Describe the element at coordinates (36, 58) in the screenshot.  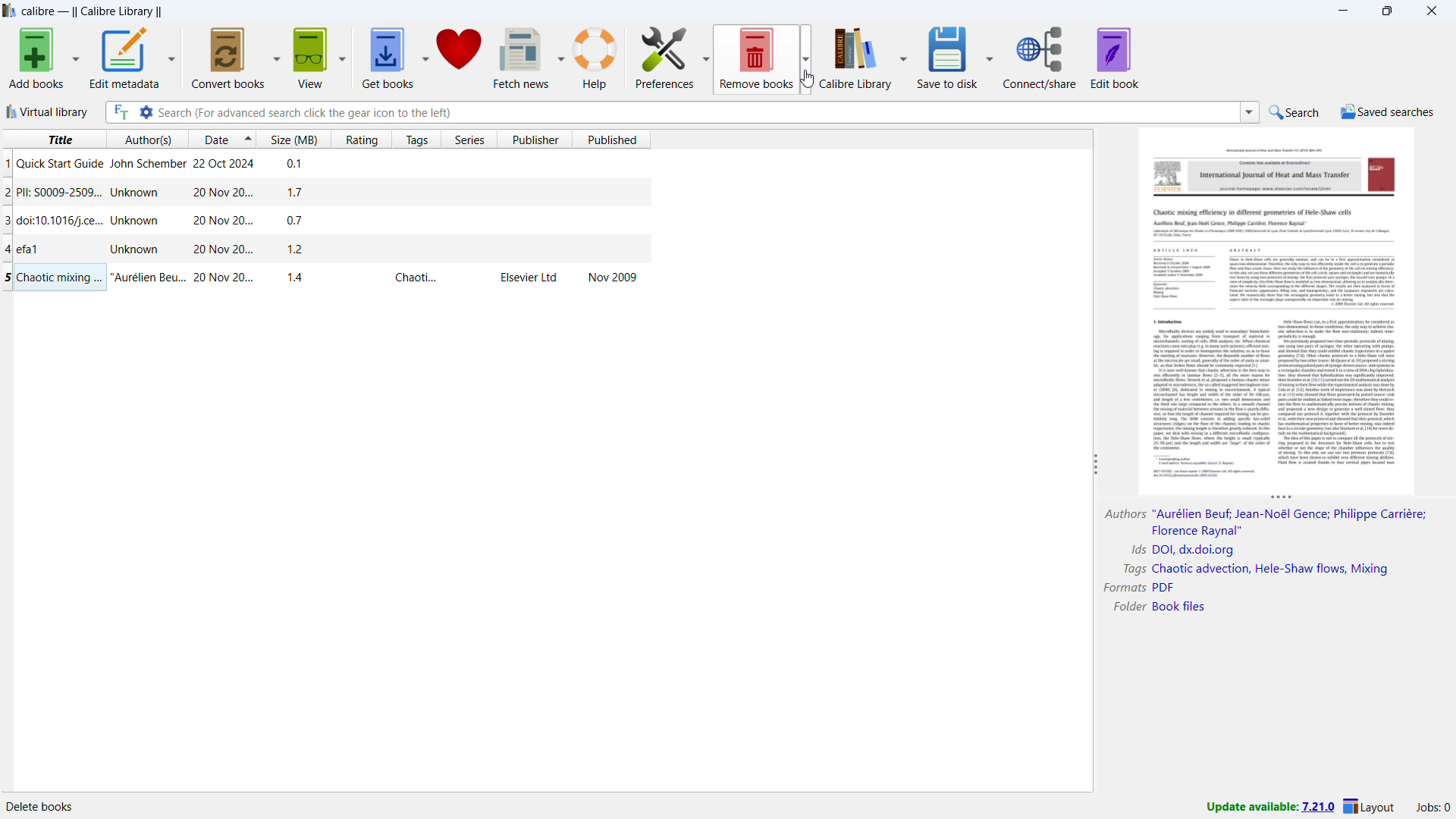
I see `add books ` at that location.